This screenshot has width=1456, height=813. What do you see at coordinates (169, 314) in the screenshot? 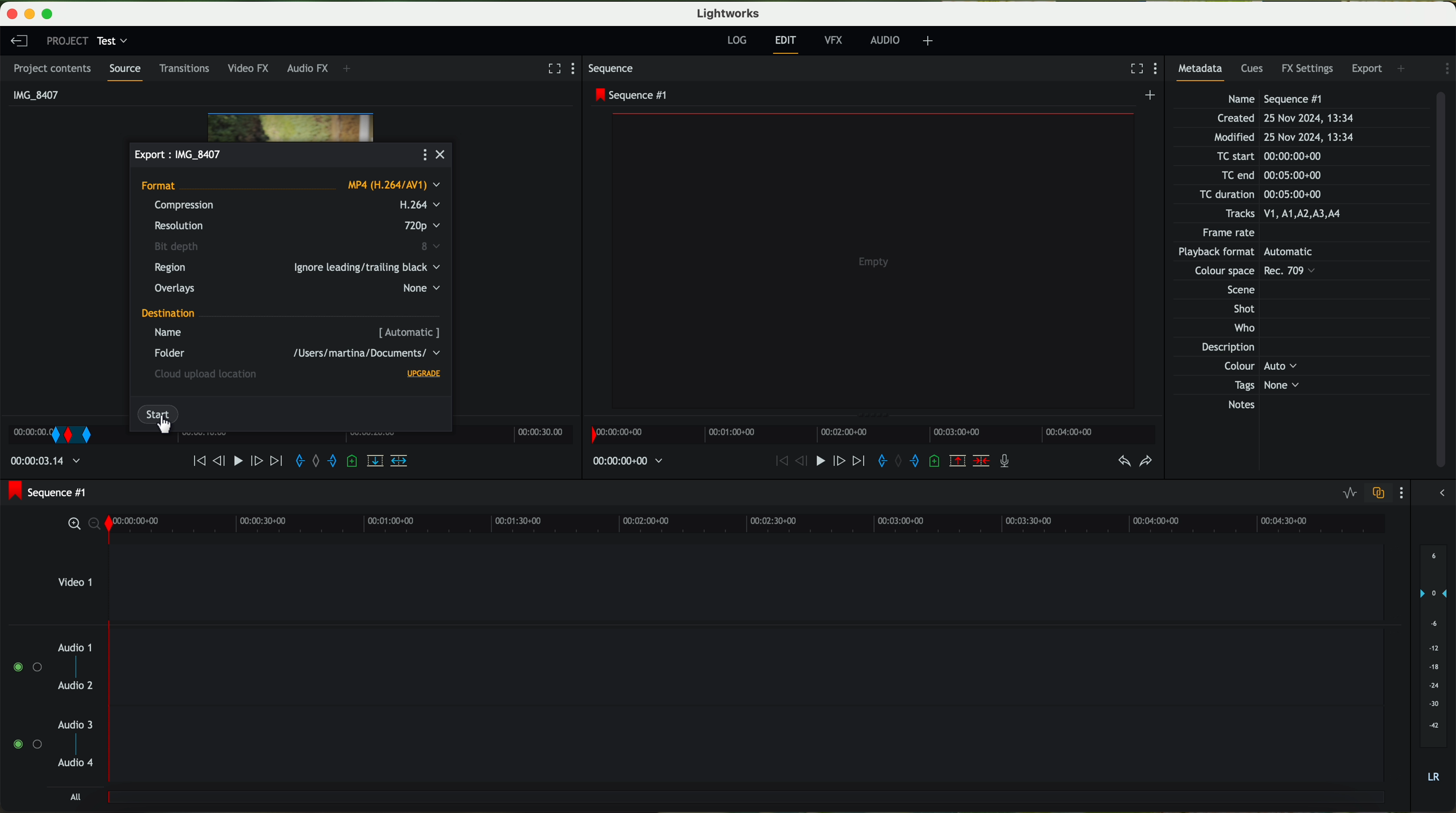
I see `destination` at bounding box center [169, 314].